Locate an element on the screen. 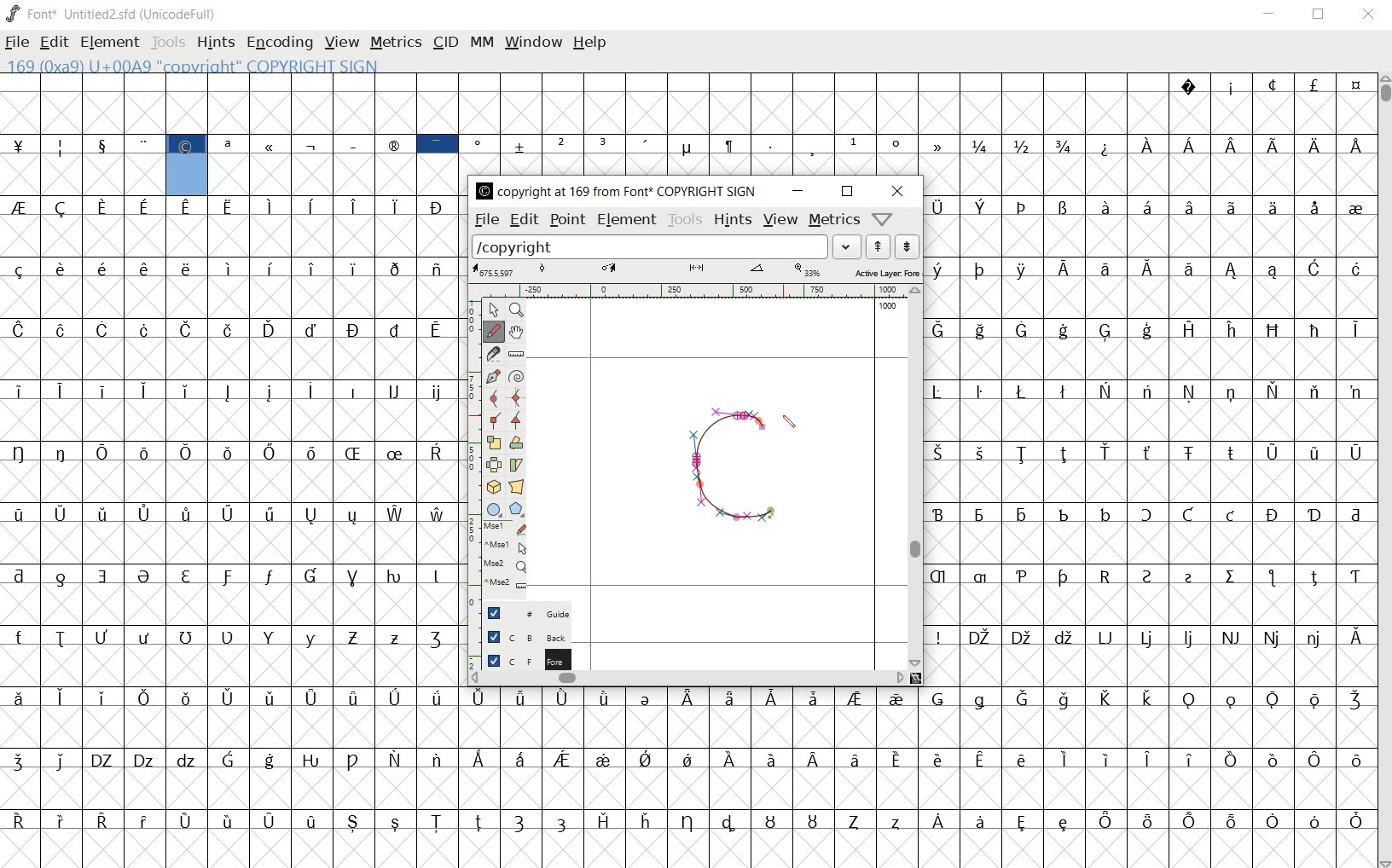 The width and height of the screenshot is (1392, 868). show the previous word on the list is located at coordinates (906, 246).